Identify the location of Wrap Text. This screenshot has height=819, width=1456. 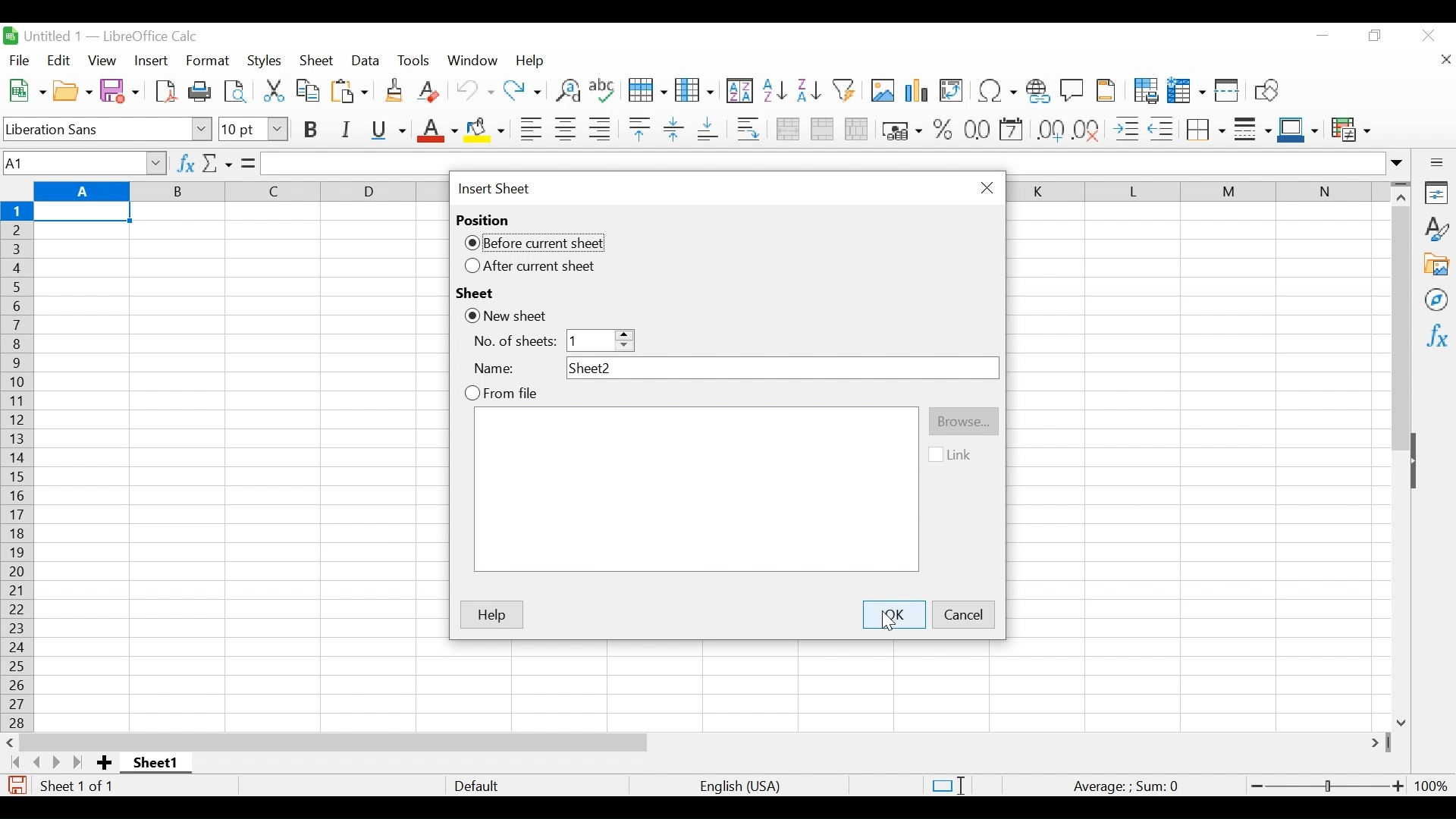
(748, 129).